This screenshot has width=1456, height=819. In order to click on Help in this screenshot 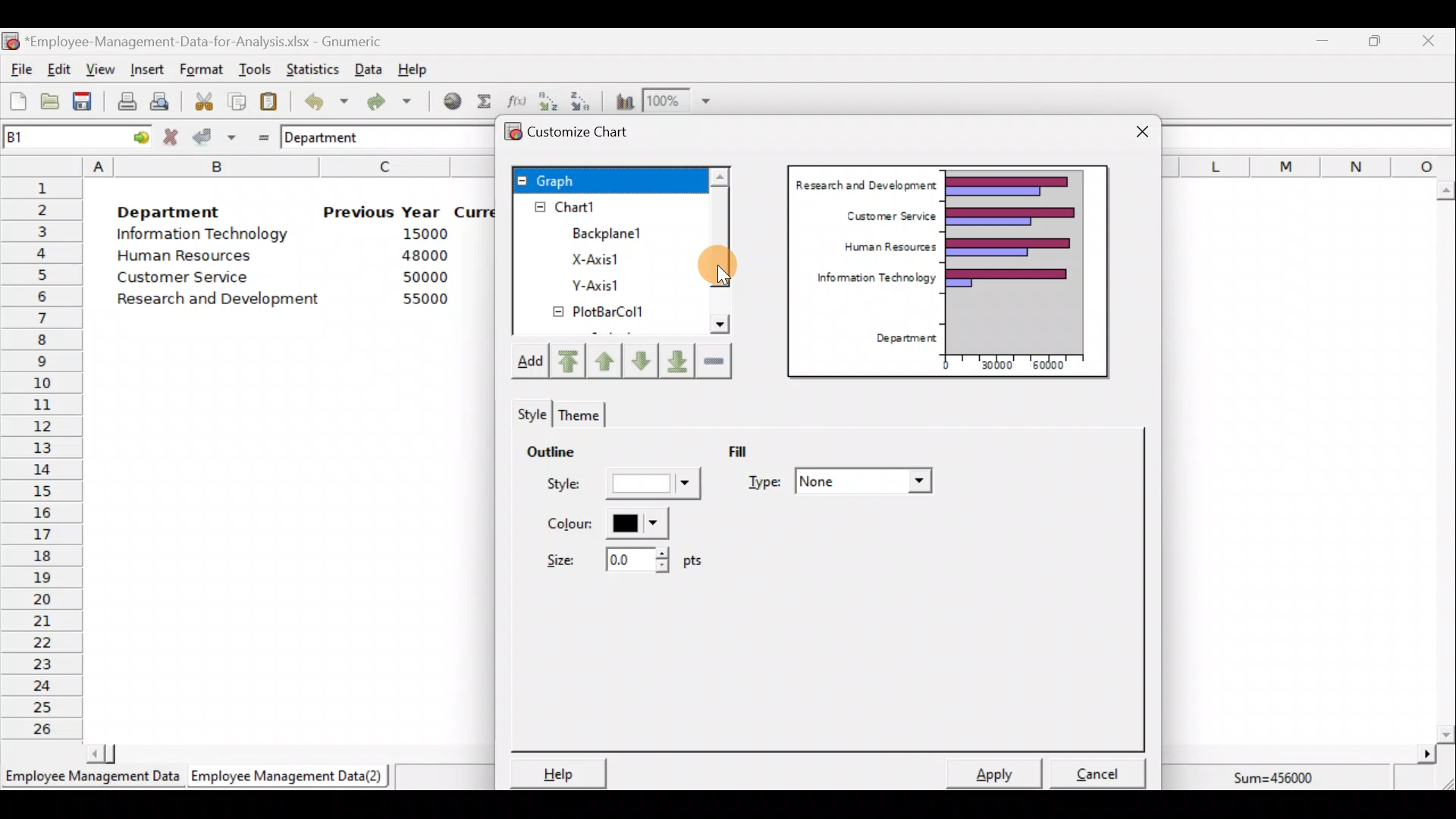, I will do `click(422, 68)`.